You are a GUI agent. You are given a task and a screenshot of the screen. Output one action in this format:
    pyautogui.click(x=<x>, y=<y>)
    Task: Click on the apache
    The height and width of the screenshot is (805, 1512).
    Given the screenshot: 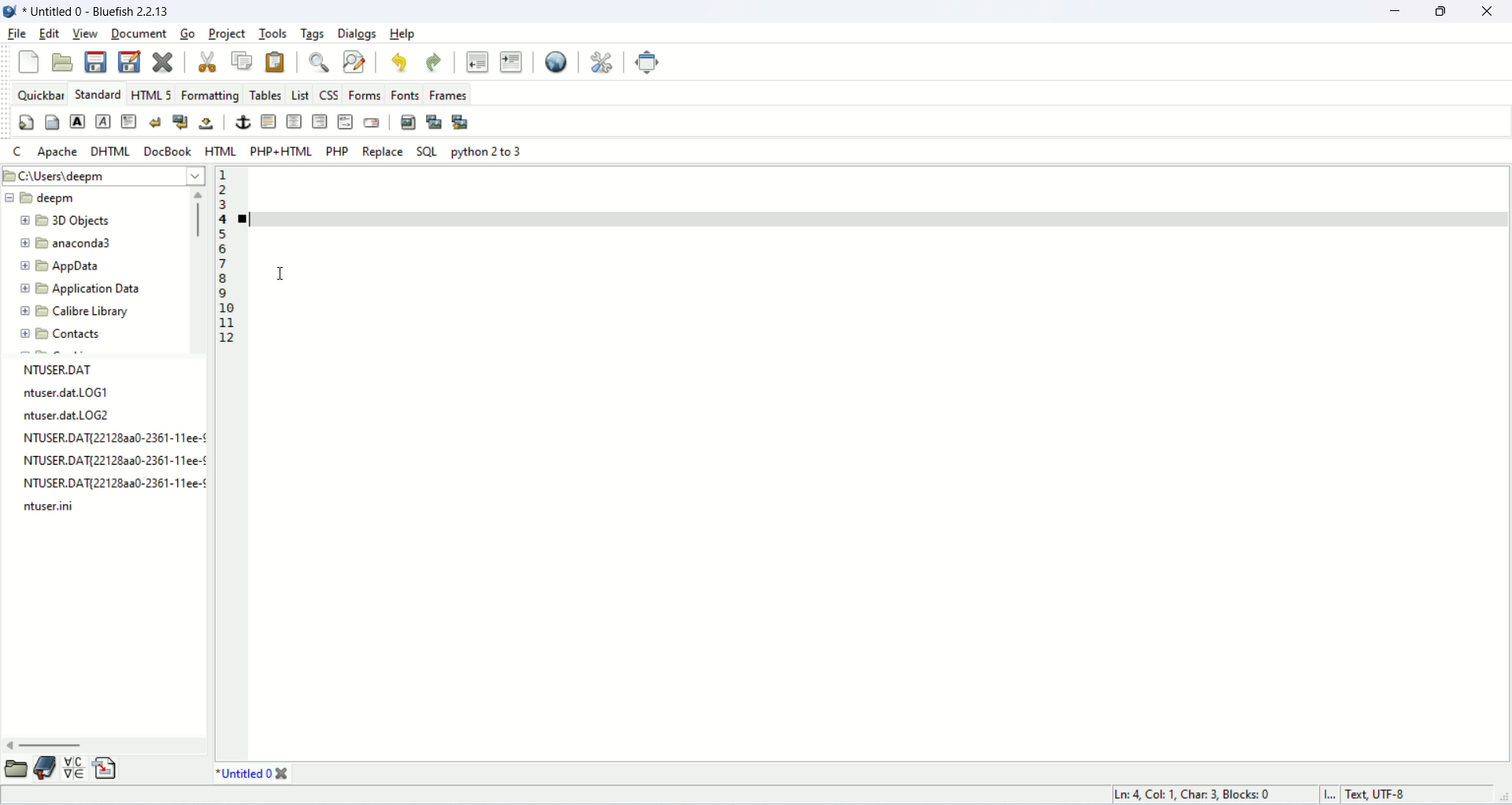 What is the action you would take?
    pyautogui.click(x=58, y=152)
    